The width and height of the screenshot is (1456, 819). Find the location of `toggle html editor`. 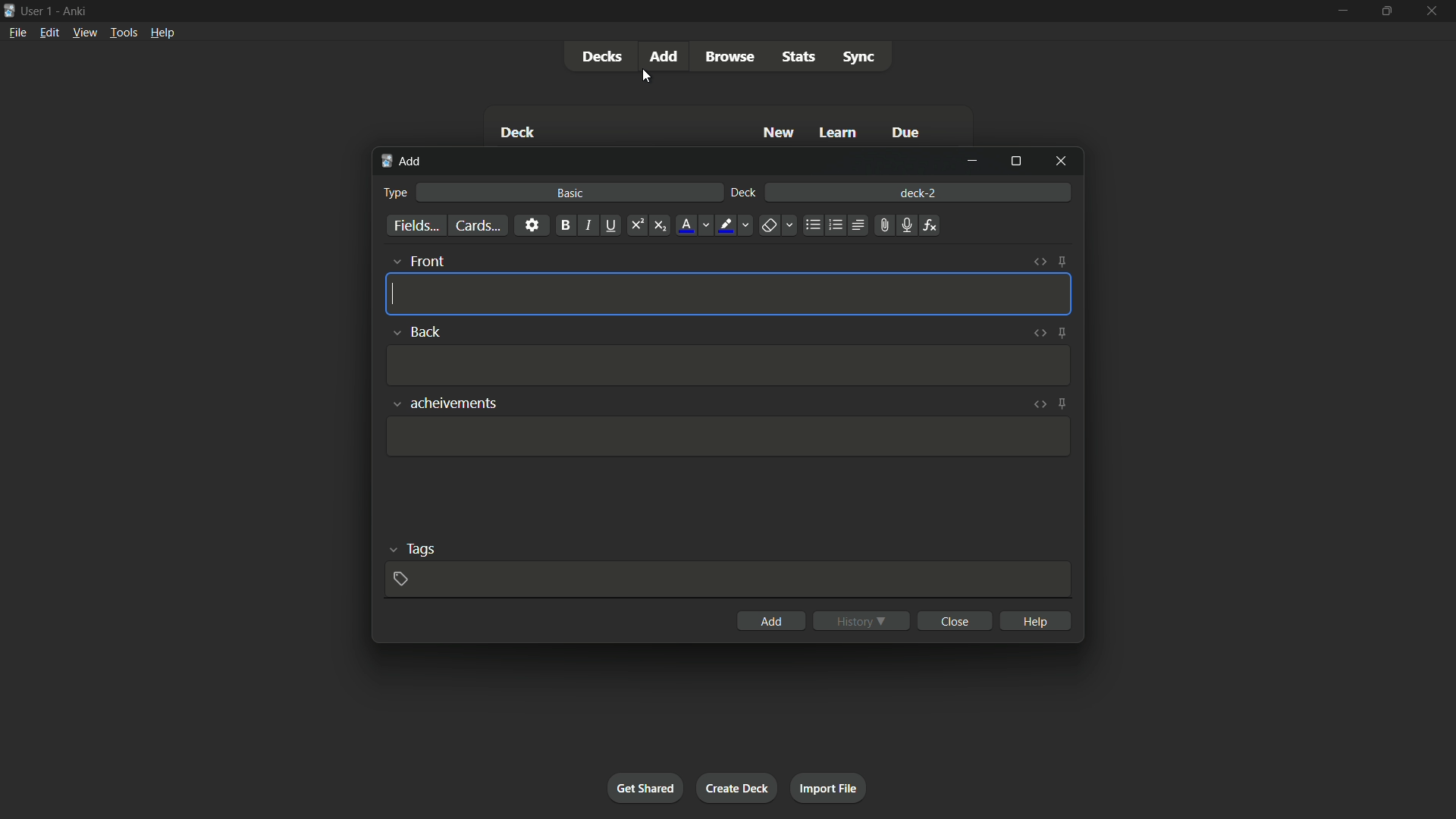

toggle html editor is located at coordinates (1038, 262).